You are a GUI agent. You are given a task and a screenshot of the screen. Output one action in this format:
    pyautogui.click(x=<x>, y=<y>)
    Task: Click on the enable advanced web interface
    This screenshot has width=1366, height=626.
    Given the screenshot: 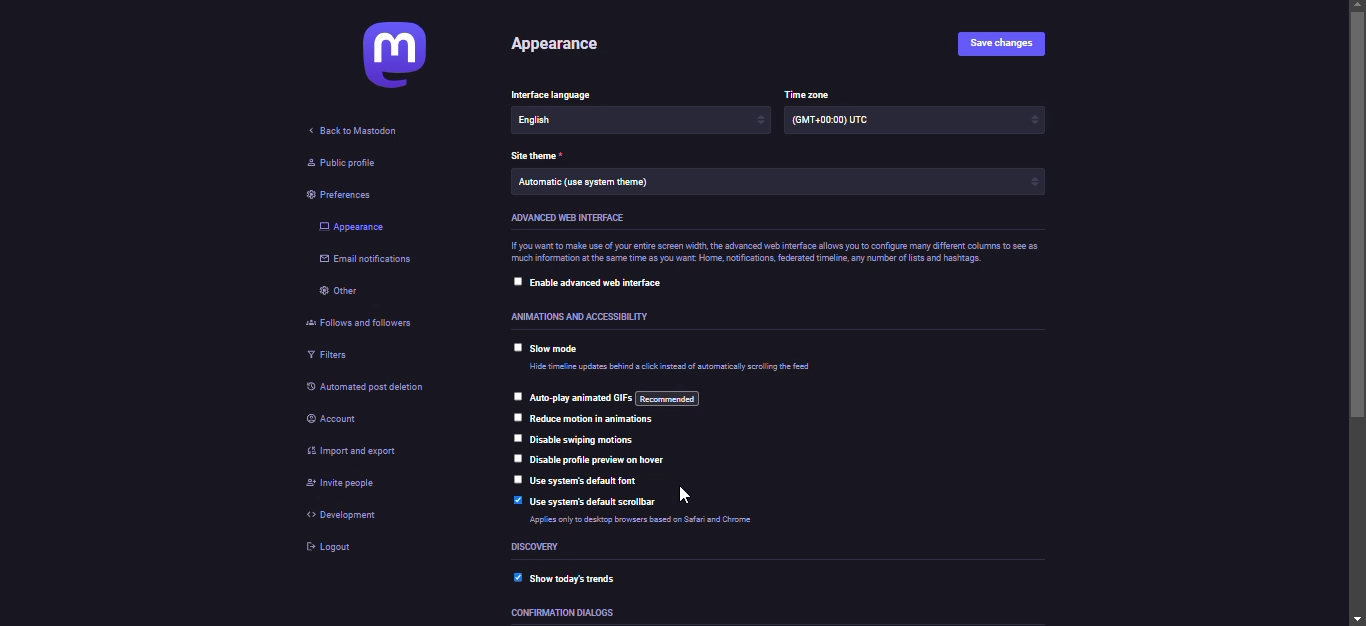 What is the action you would take?
    pyautogui.click(x=600, y=285)
    